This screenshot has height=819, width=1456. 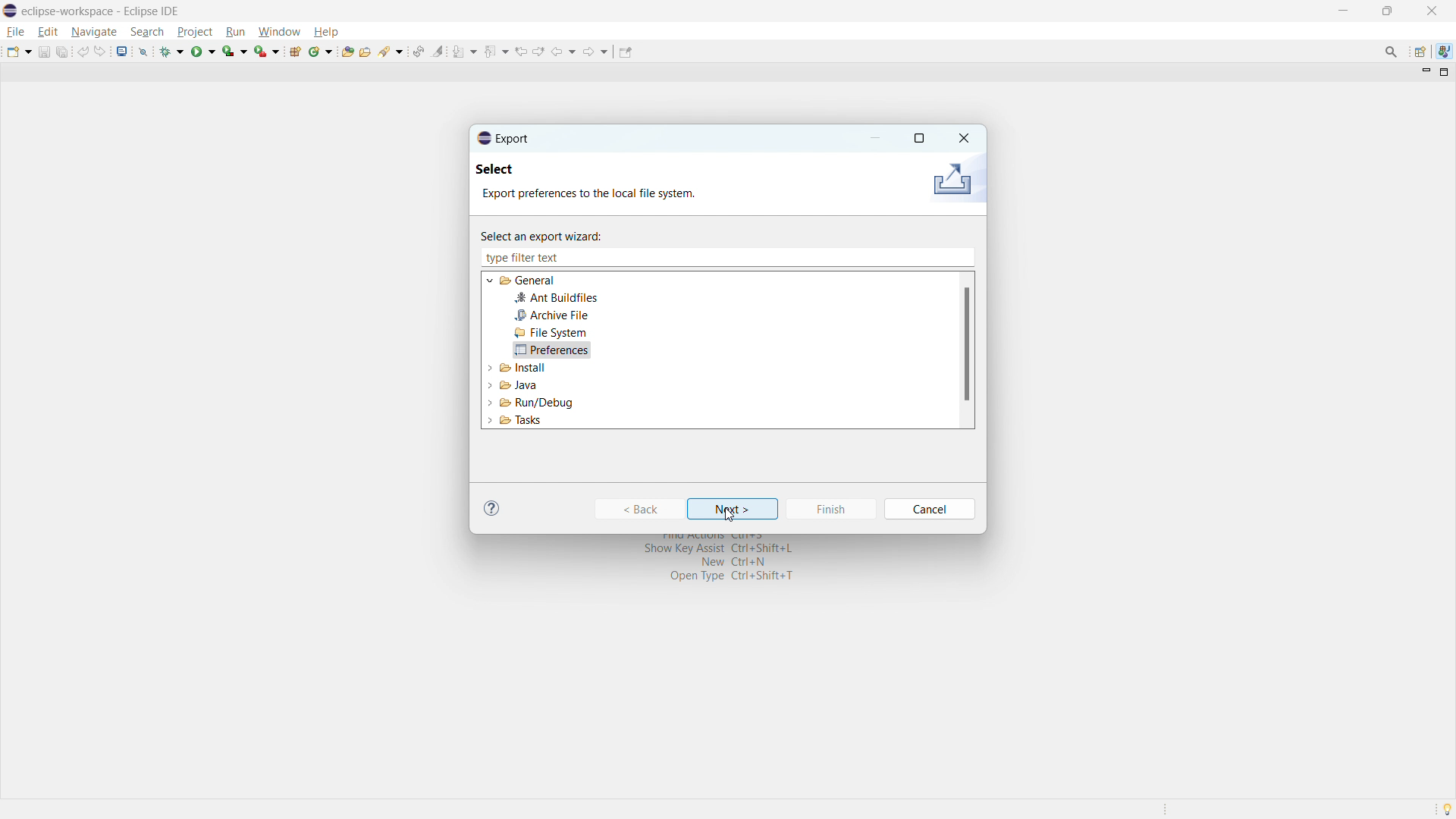 What do you see at coordinates (535, 422) in the screenshot?
I see `Tasks` at bounding box center [535, 422].